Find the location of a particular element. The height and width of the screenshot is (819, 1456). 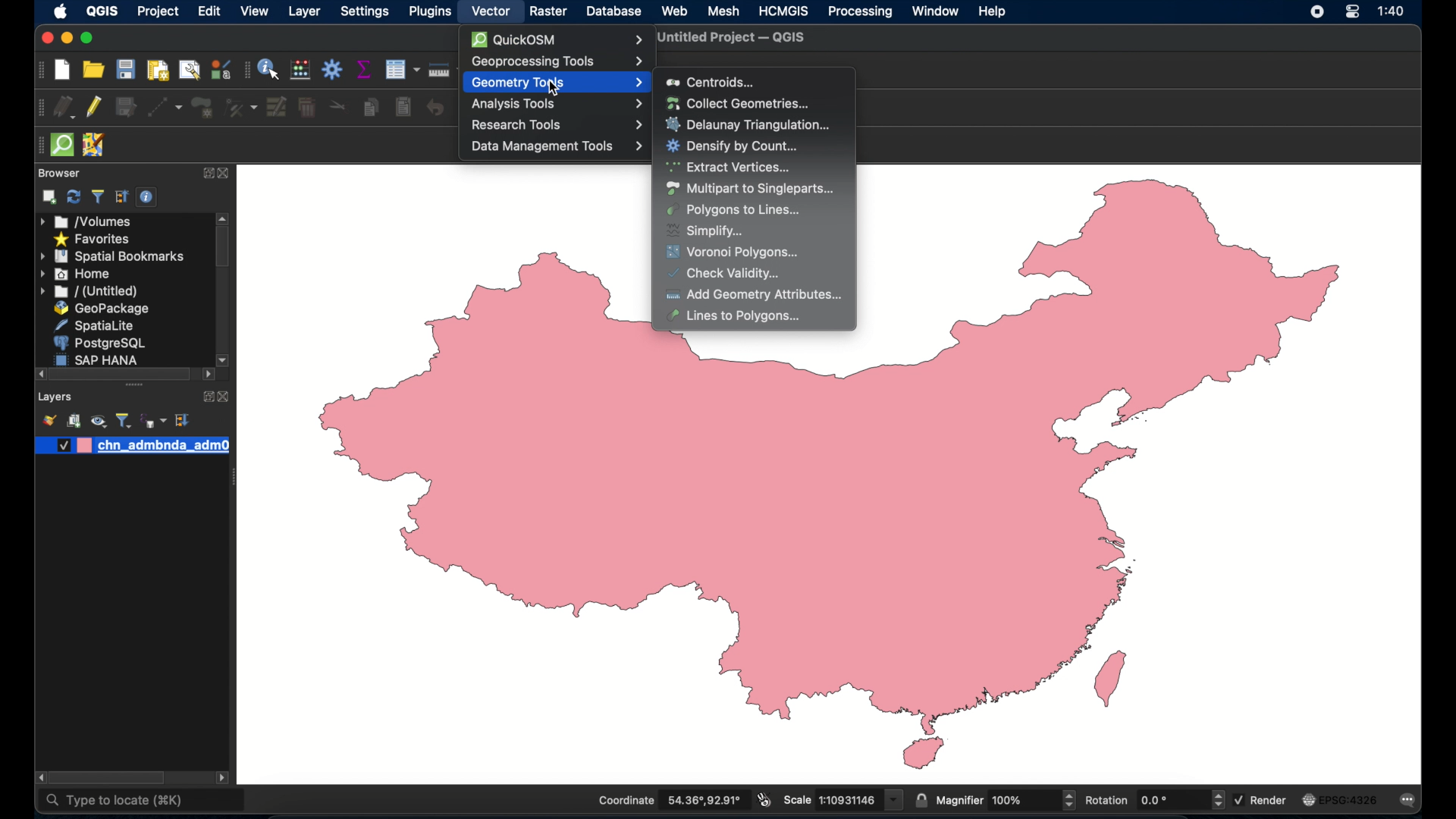

georpocessing tools is located at coordinates (557, 61).